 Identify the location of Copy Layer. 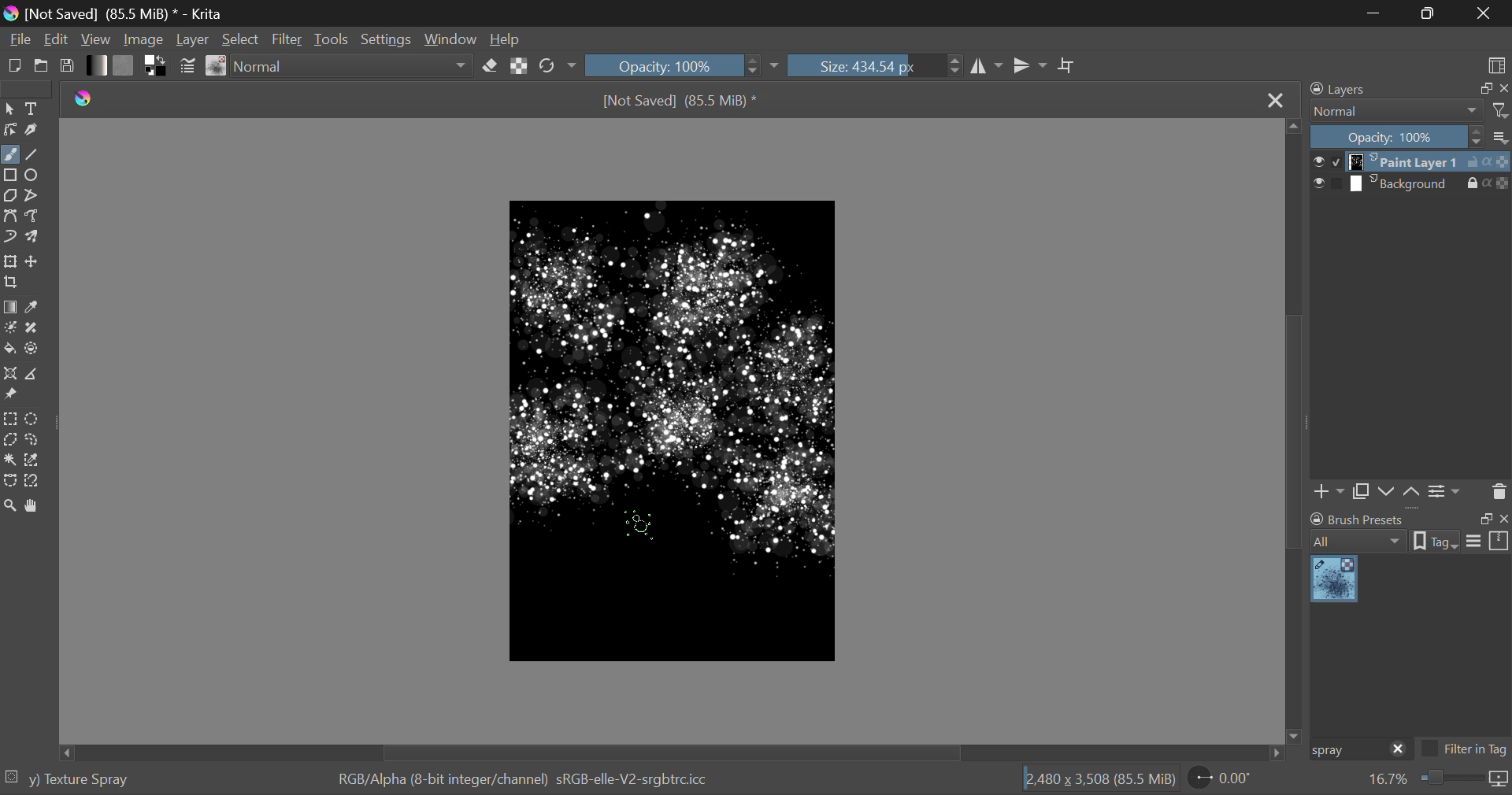
(1361, 494).